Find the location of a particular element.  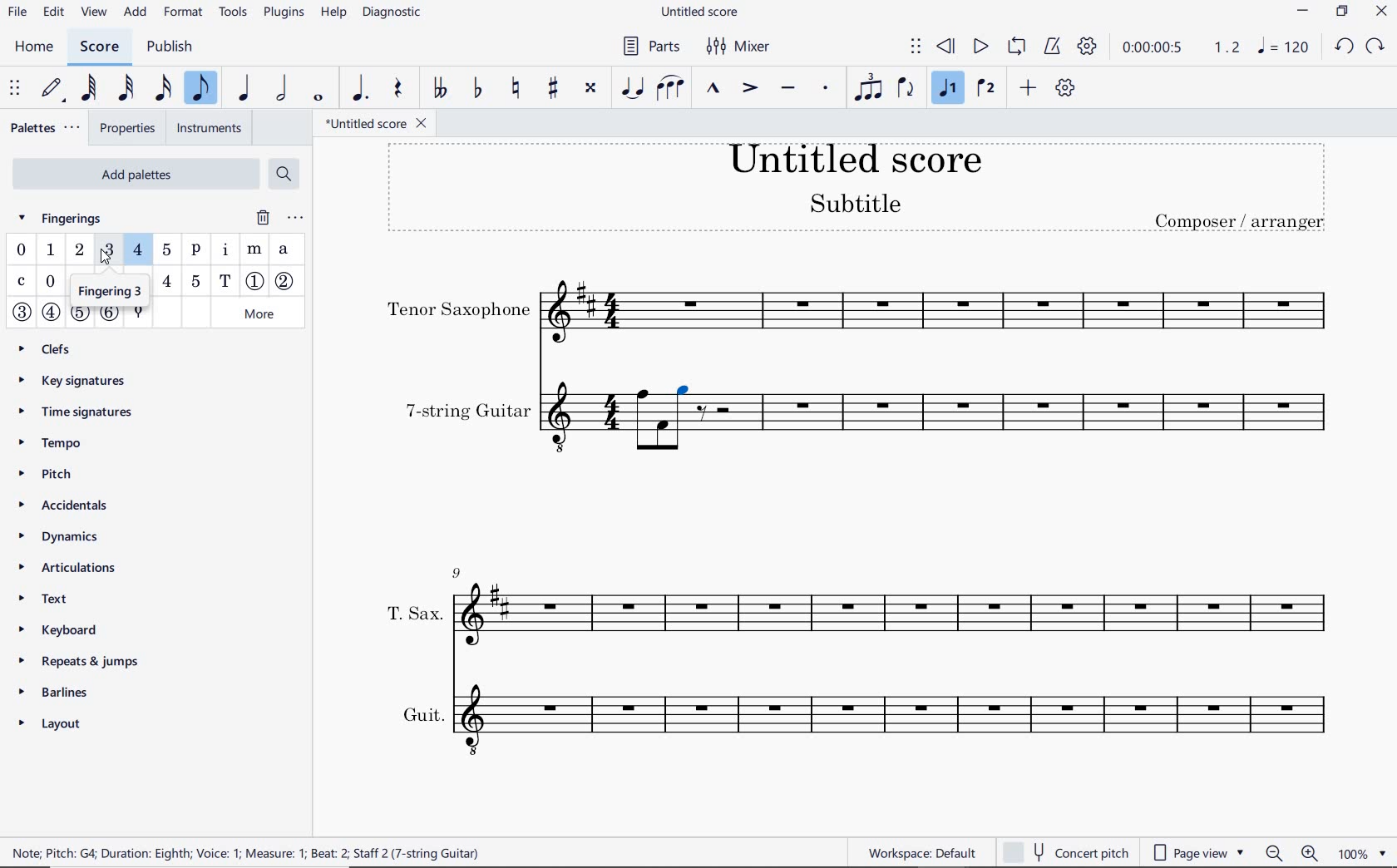

selection is located at coordinates (686, 392).